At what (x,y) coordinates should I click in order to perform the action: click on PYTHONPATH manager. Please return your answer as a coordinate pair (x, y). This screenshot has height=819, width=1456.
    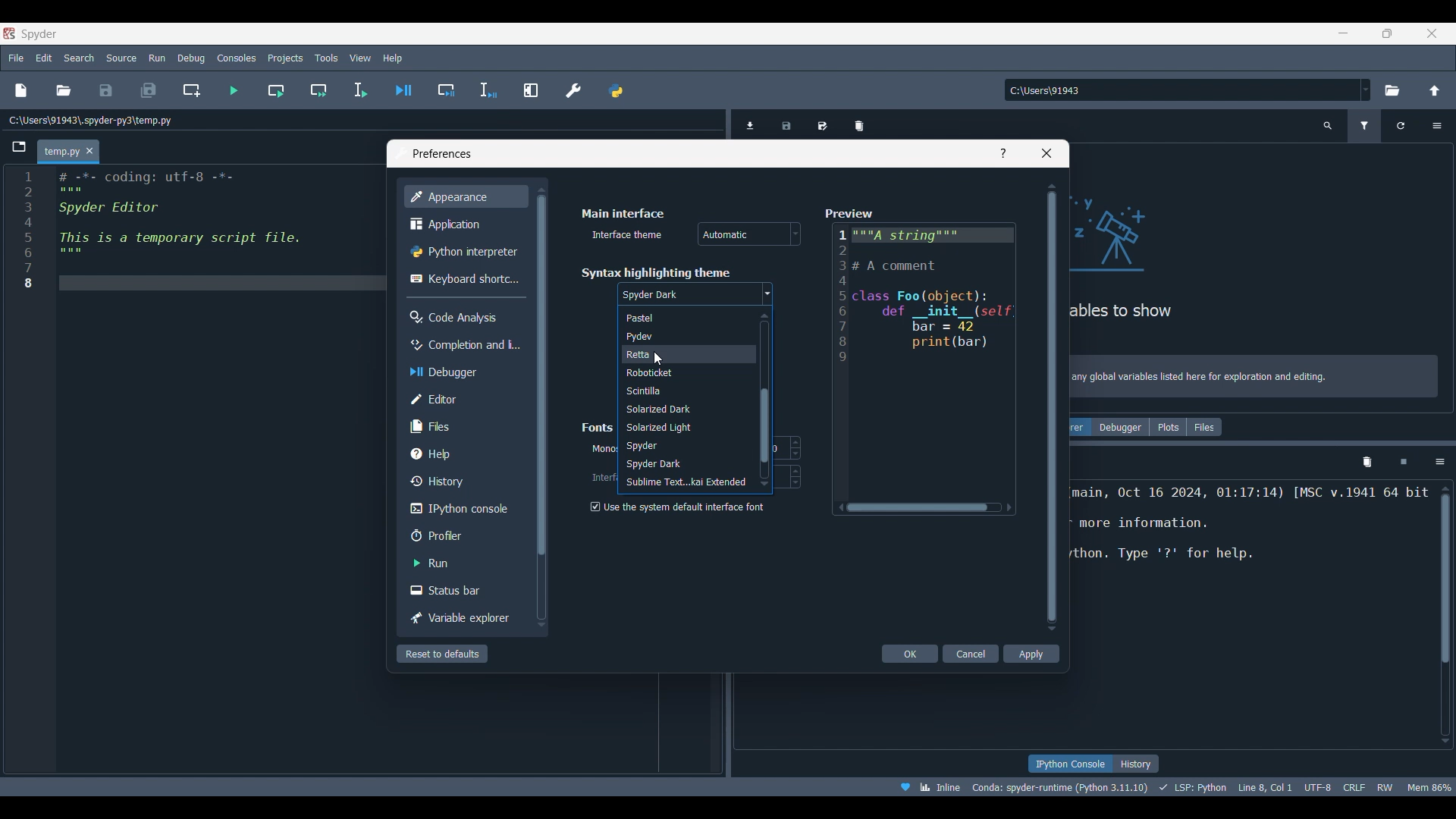
    Looking at the image, I should click on (615, 90).